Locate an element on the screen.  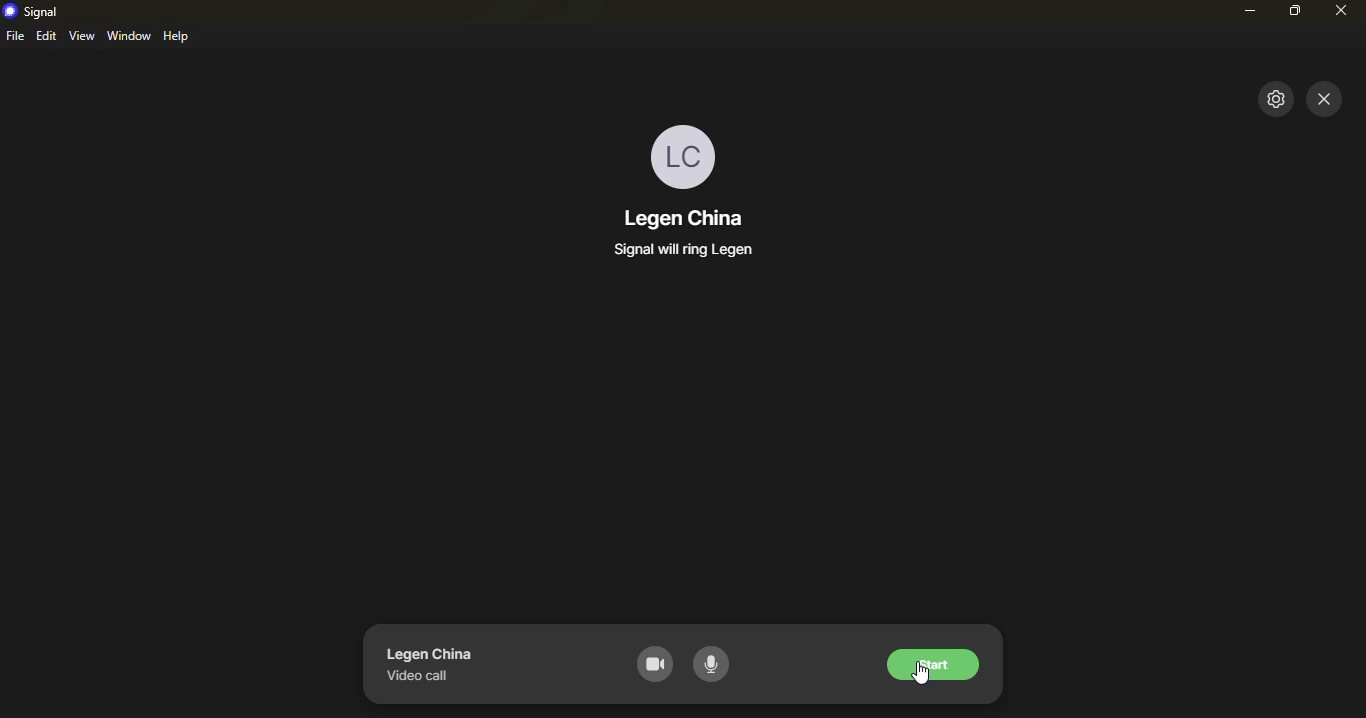
profile  is located at coordinates (683, 152).